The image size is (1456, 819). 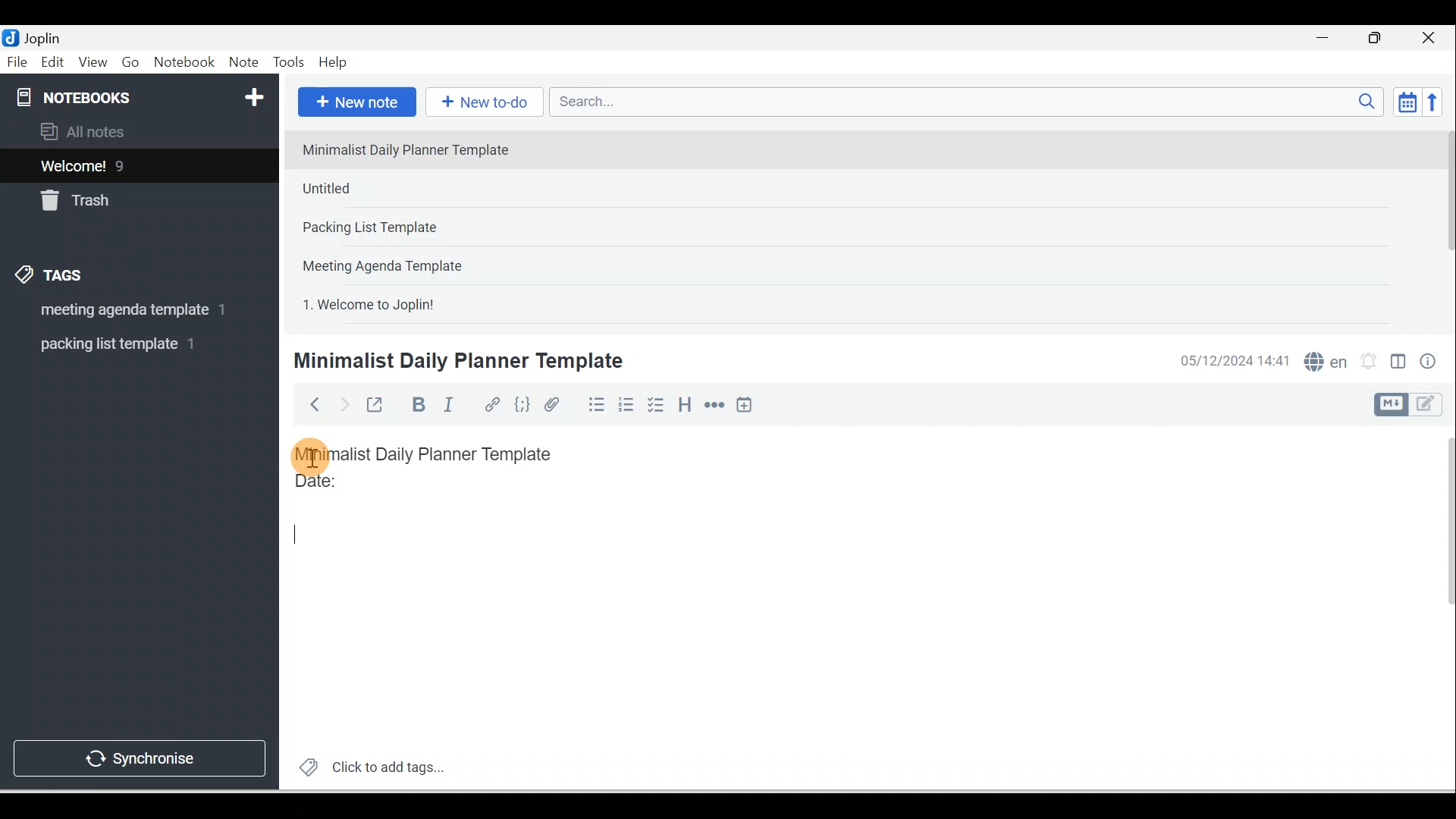 I want to click on Bold, so click(x=416, y=405).